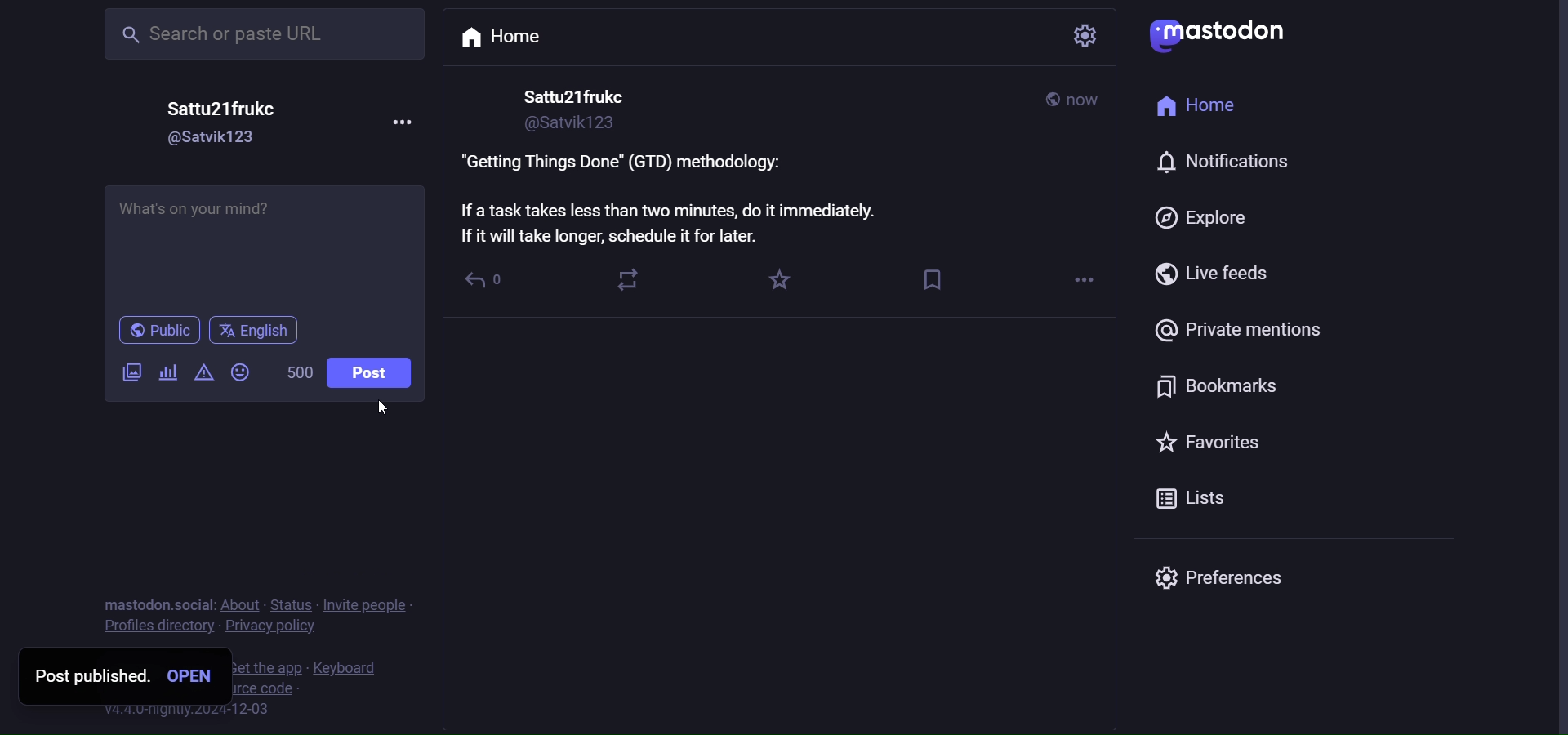 The width and height of the screenshot is (1568, 735). I want to click on private mention, so click(1245, 330).